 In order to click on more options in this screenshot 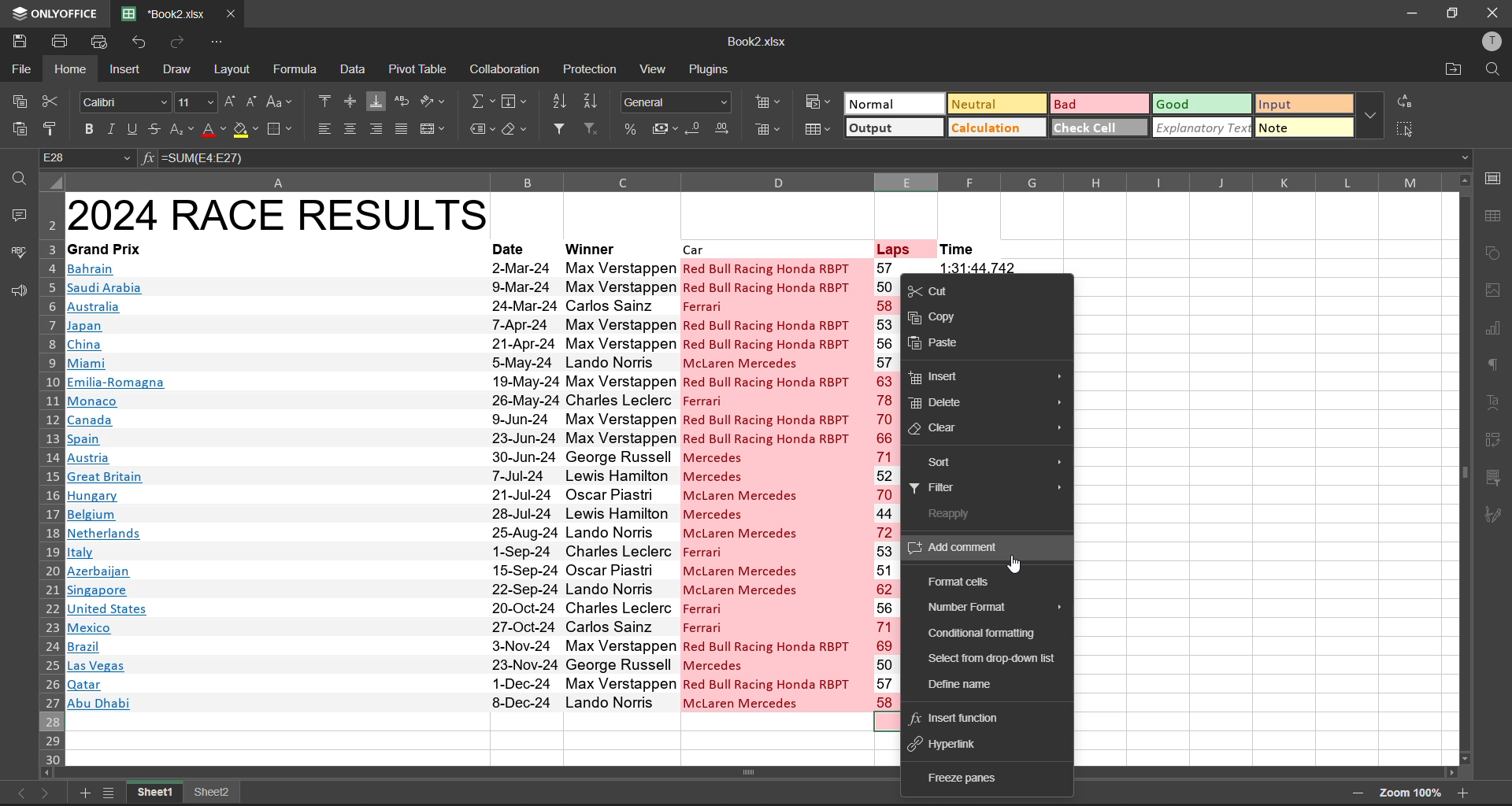, I will do `click(1372, 116)`.